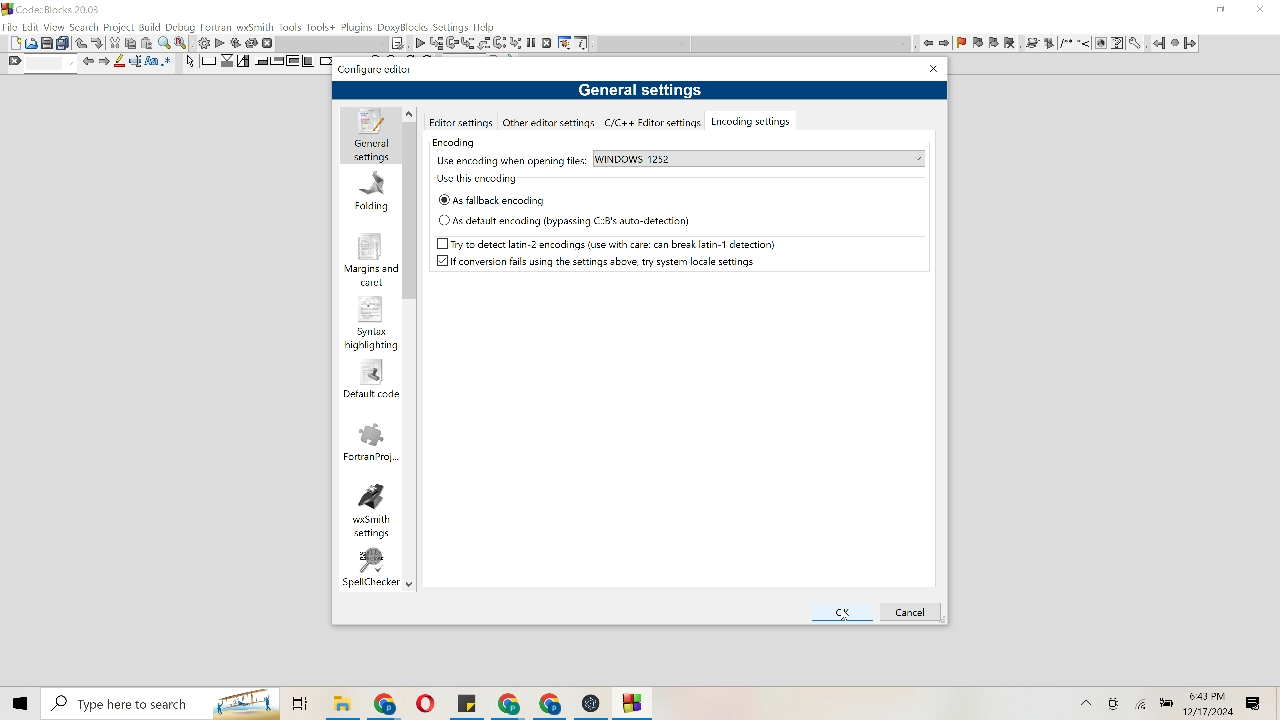  What do you see at coordinates (548, 43) in the screenshot?
I see `Cancel` at bounding box center [548, 43].